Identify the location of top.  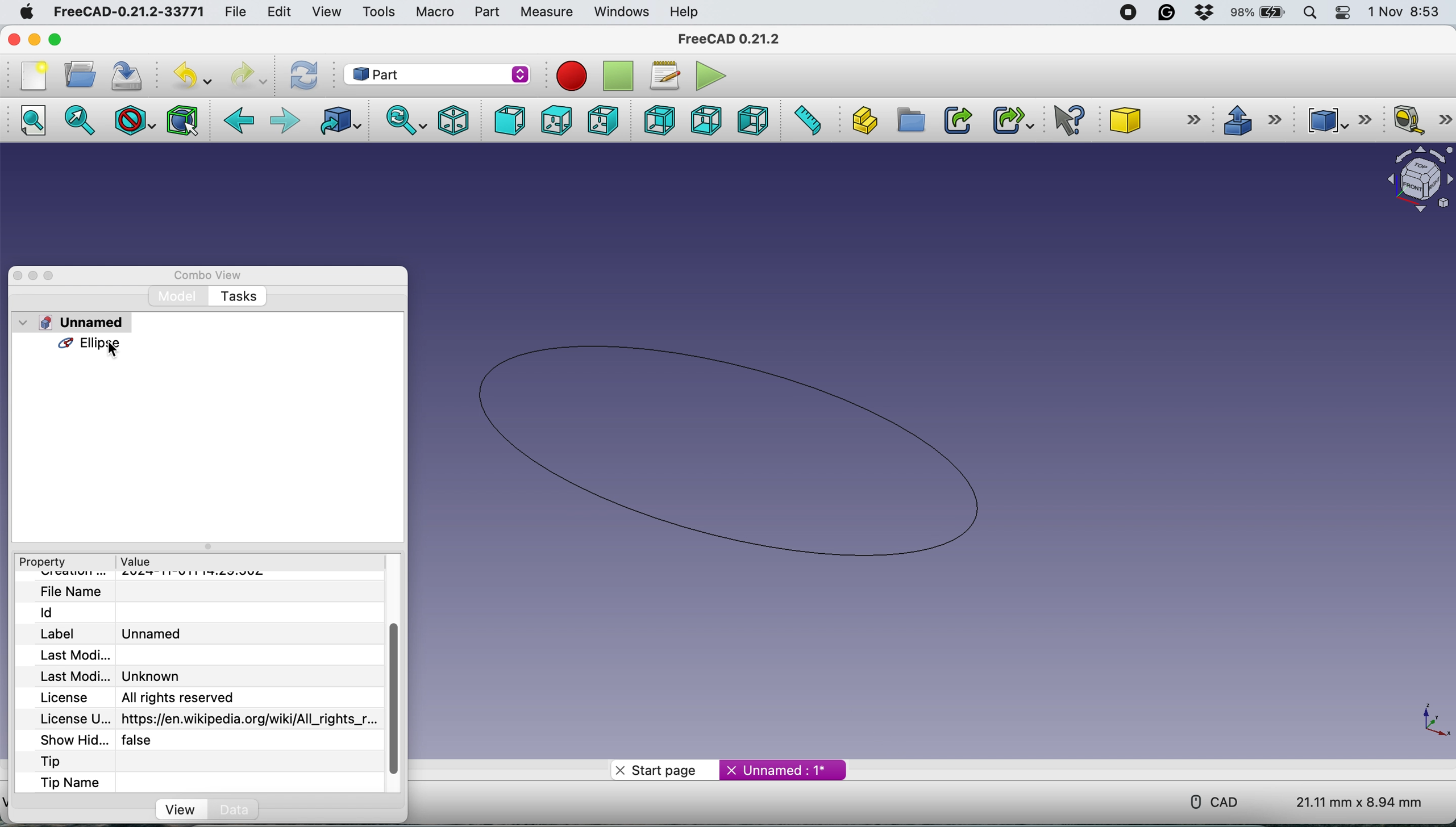
(561, 120).